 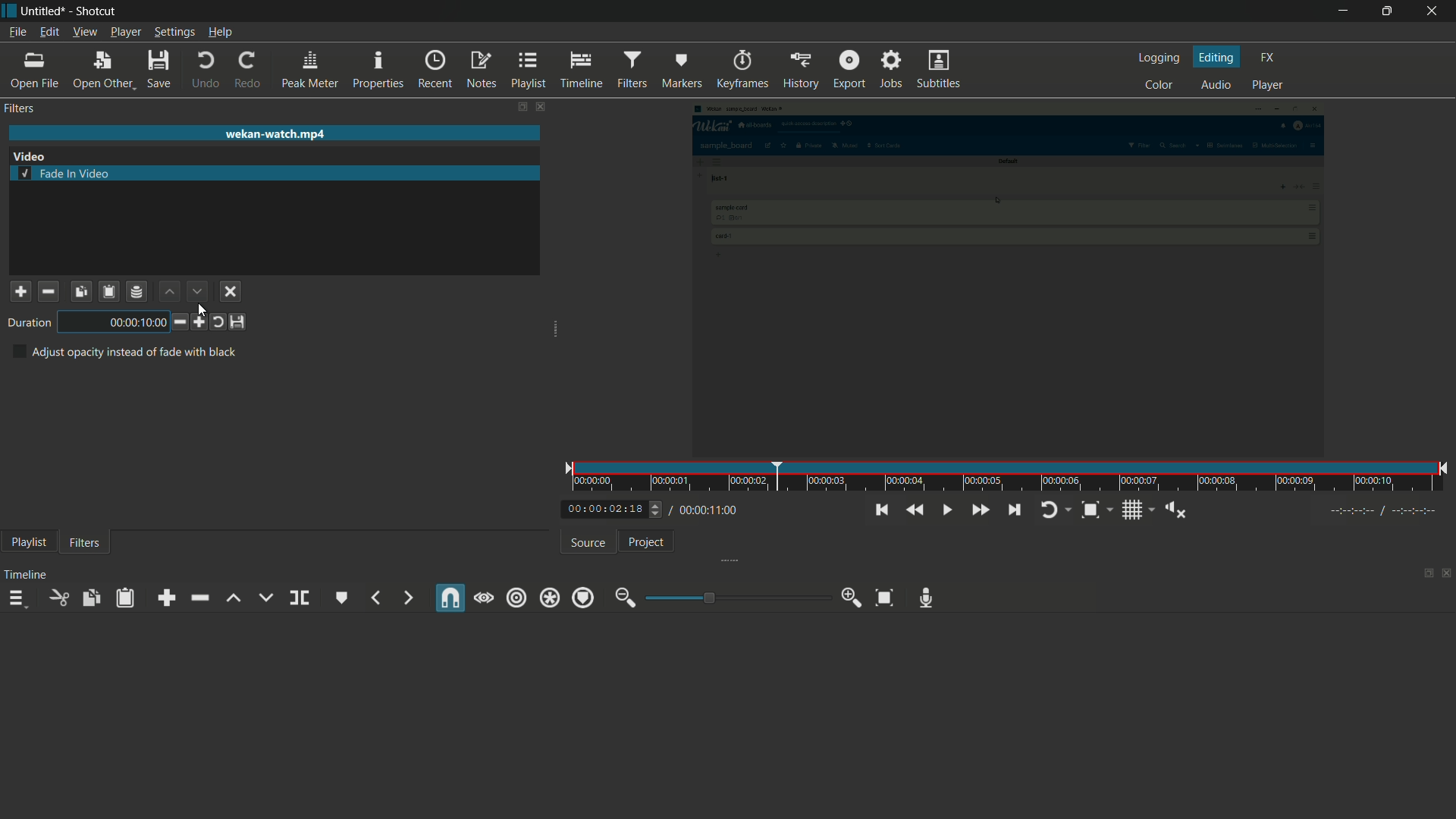 What do you see at coordinates (712, 510) in the screenshot?
I see `total time` at bounding box center [712, 510].